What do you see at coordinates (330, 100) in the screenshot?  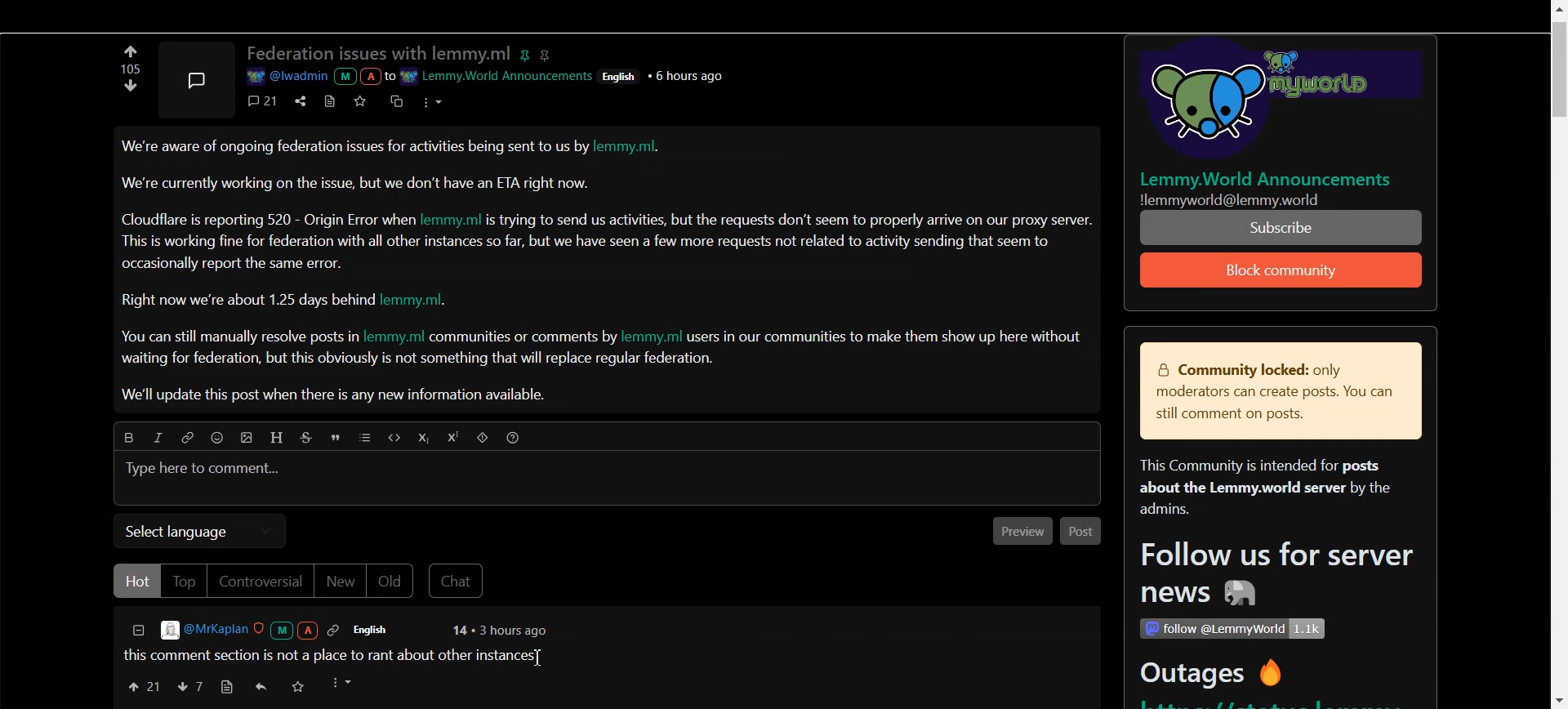 I see `view source` at bounding box center [330, 100].